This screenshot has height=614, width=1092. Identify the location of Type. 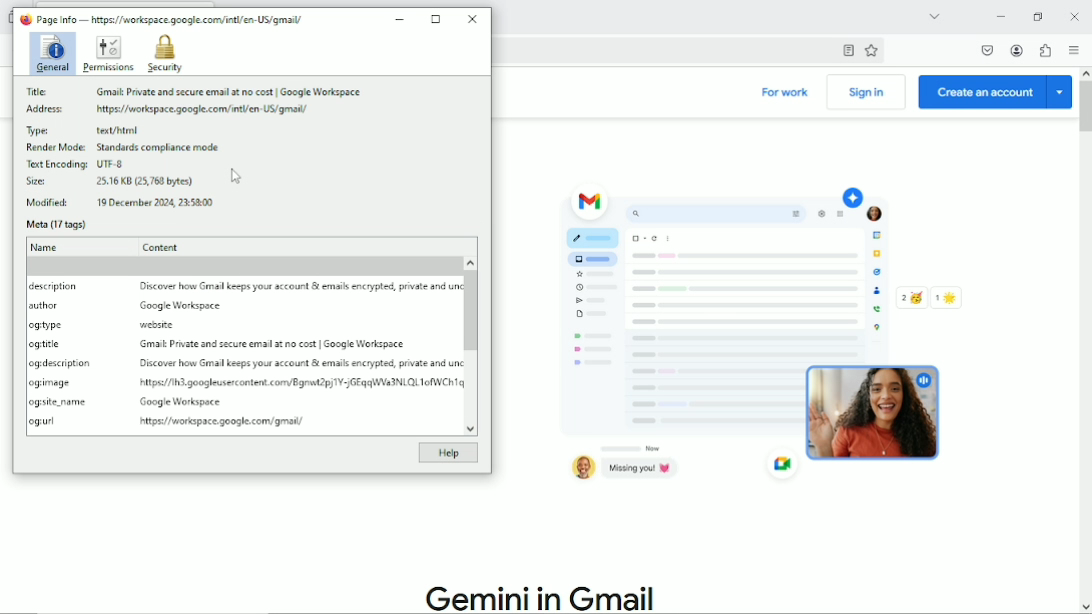
(41, 131).